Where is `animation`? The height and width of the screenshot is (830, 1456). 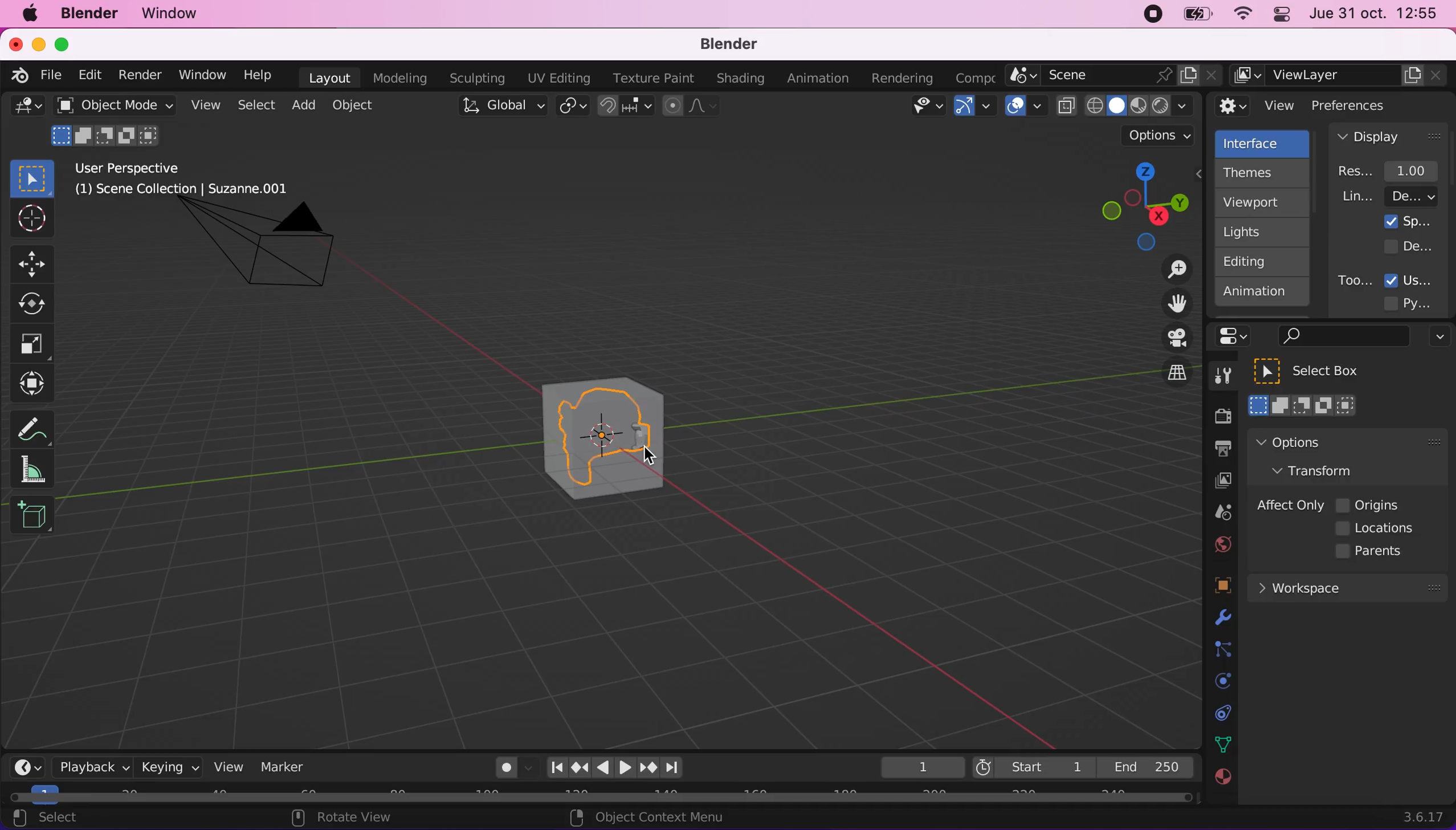 animation is located at coordinates (821, 79).